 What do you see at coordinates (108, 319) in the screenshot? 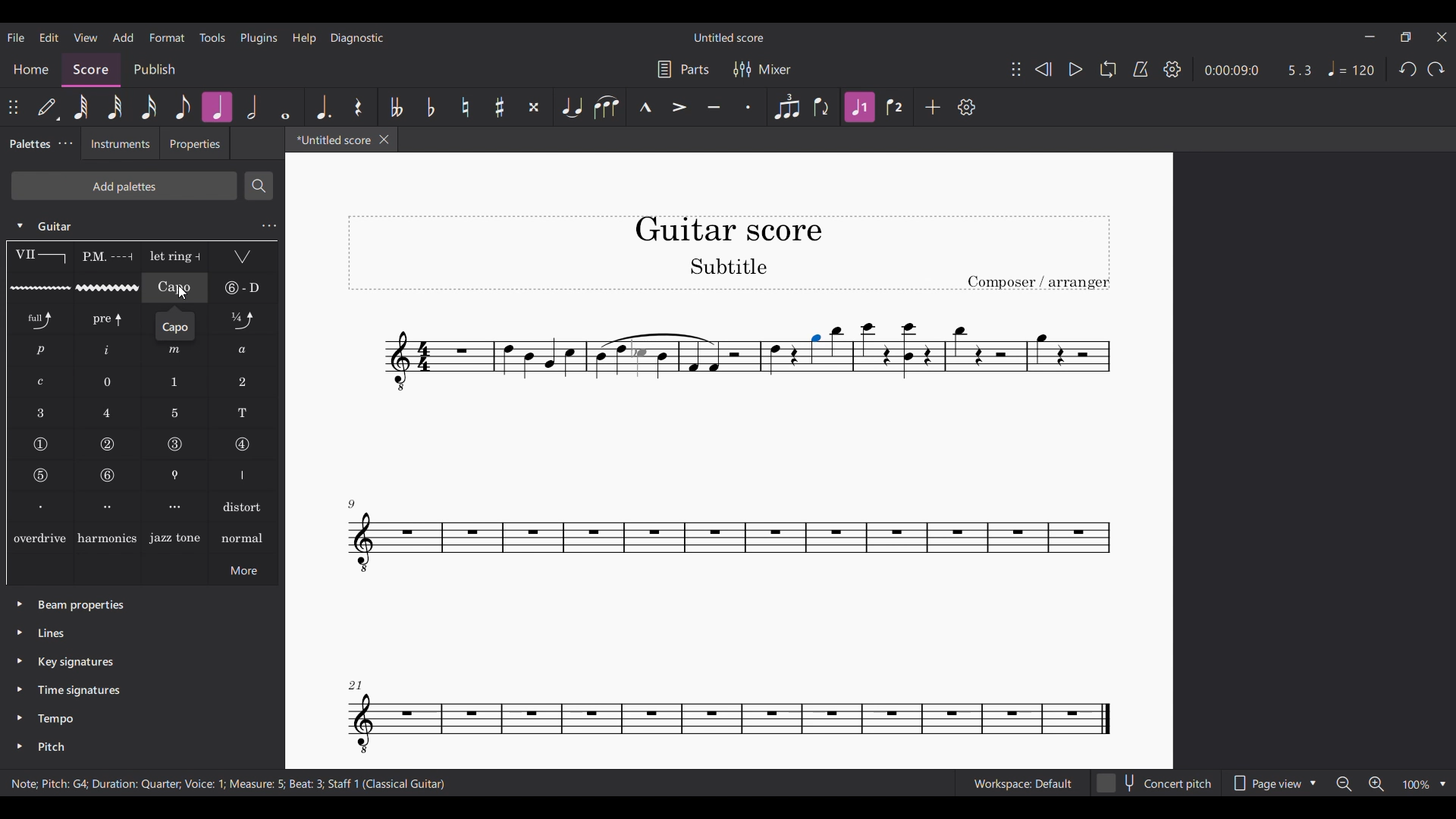
I see `Pre-bend` at bounding box center [108, 319].